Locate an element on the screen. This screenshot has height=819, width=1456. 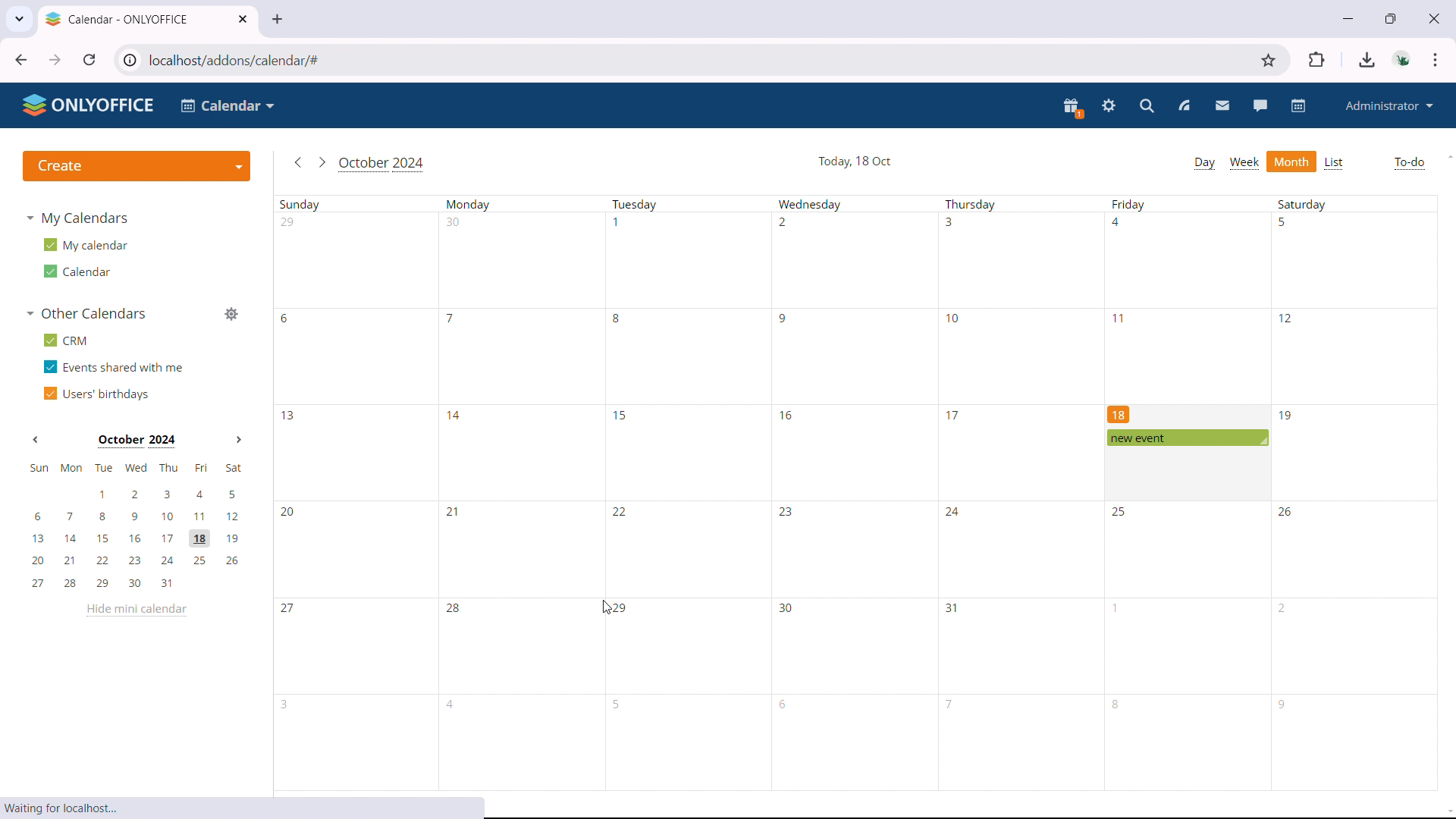
Wednesday is located at coordinates (810, 205).